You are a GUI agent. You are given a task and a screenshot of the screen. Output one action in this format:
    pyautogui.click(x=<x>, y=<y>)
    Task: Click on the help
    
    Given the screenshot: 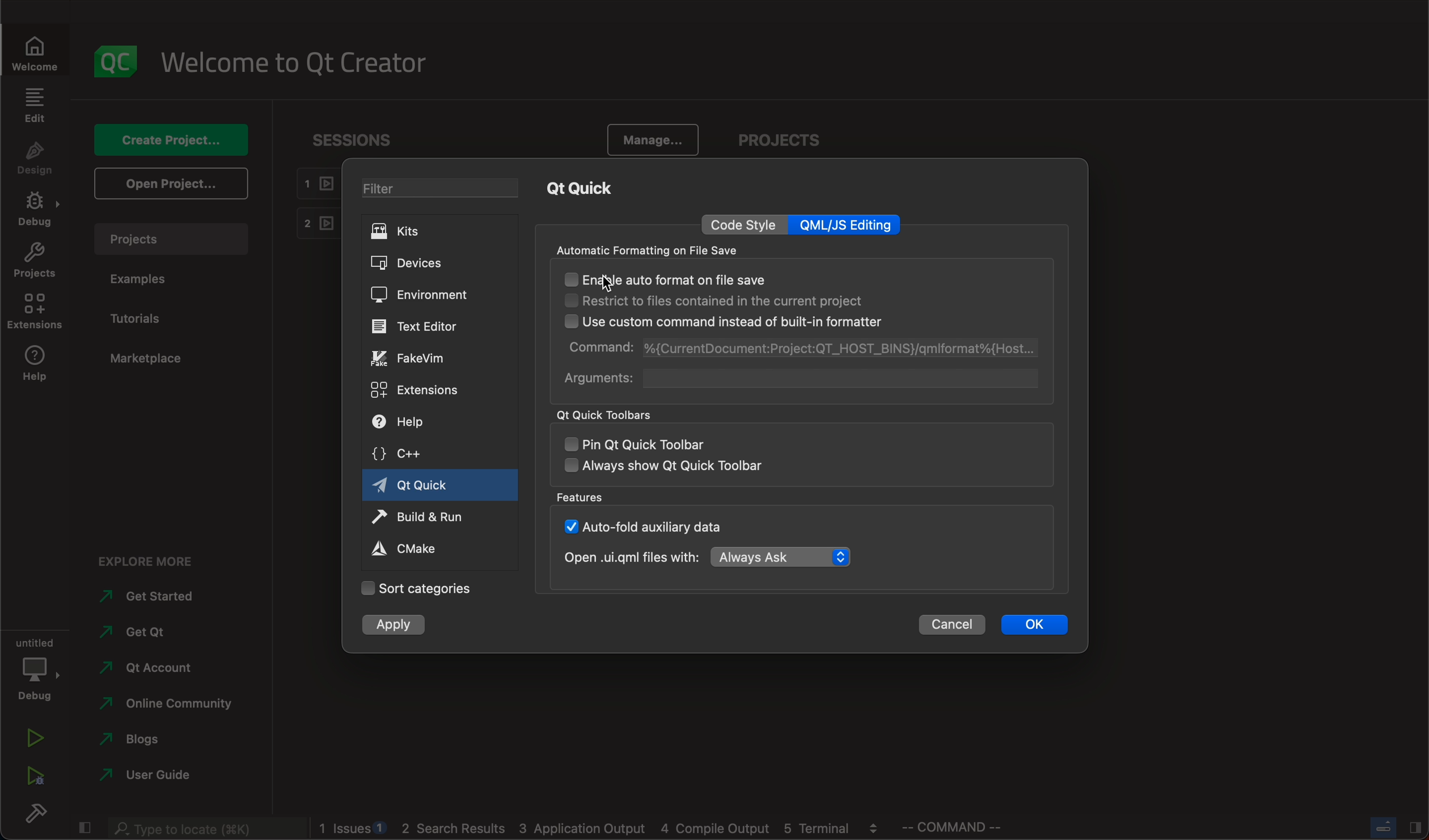 What is the action you would take?
    pyautogui.click(x=35, y=366)
    